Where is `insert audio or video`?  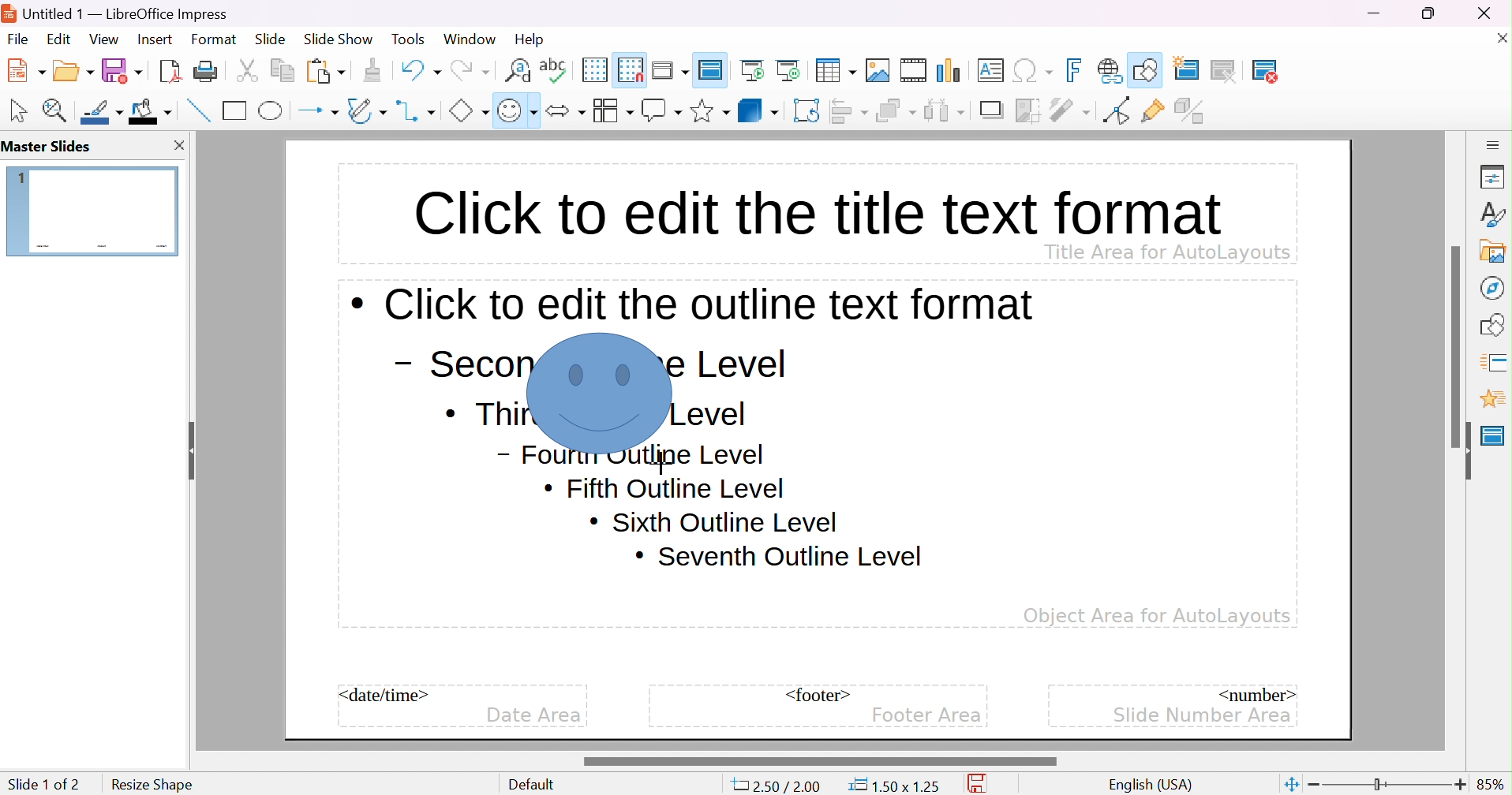
insert audio or video is located at coordinates (912, 70).